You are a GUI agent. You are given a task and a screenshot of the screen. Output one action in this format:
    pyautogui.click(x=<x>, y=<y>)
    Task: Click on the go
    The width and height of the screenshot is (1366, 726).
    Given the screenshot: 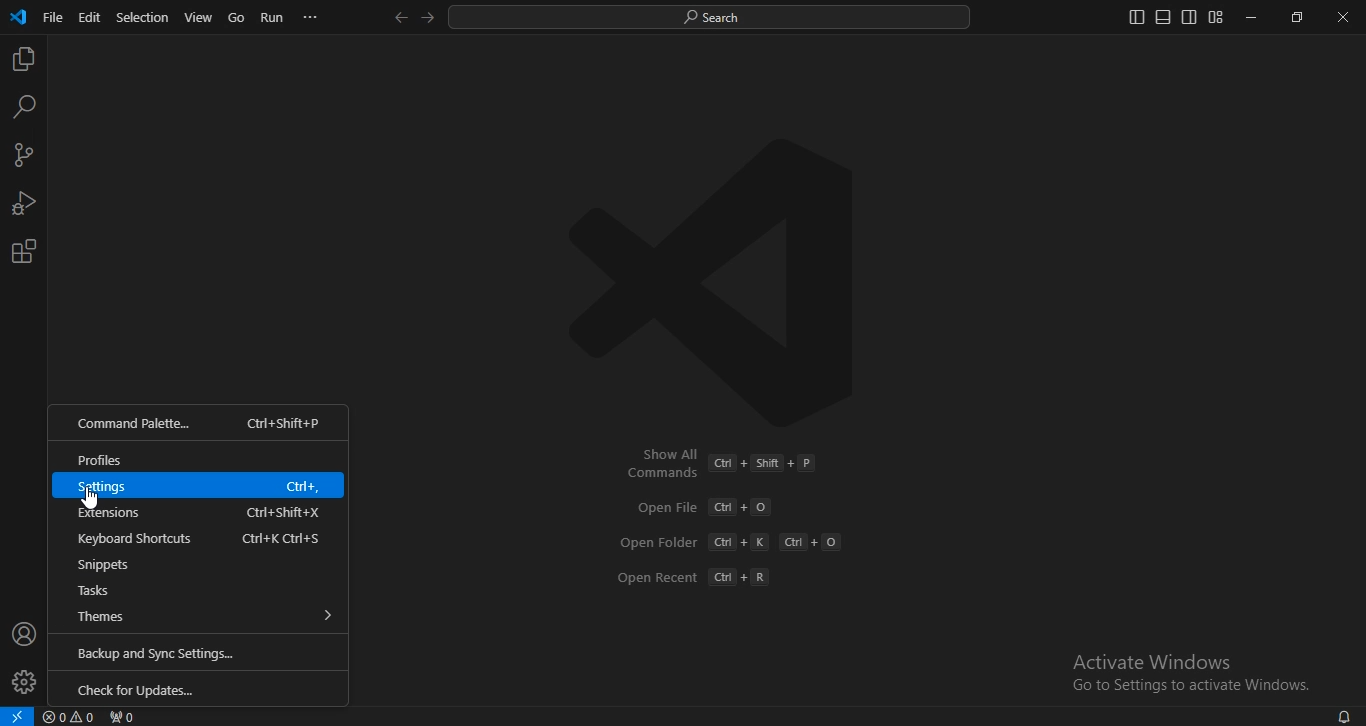 What is the action you would take?
    pyautogui.click(x=237, y=19)
    